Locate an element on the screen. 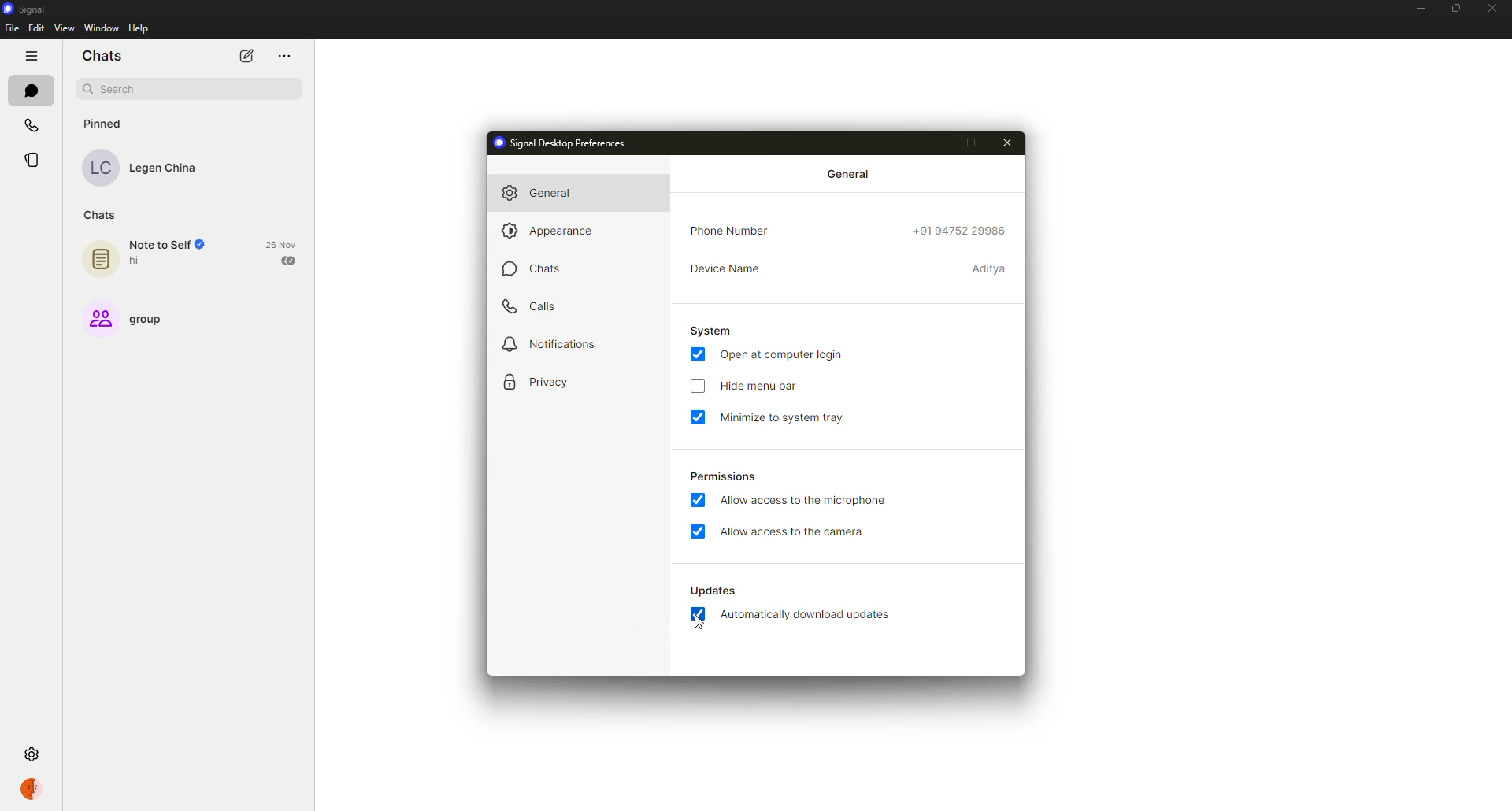 The width and height of the screenshot is (1512, 811). general is located at coordinates (850, 174).